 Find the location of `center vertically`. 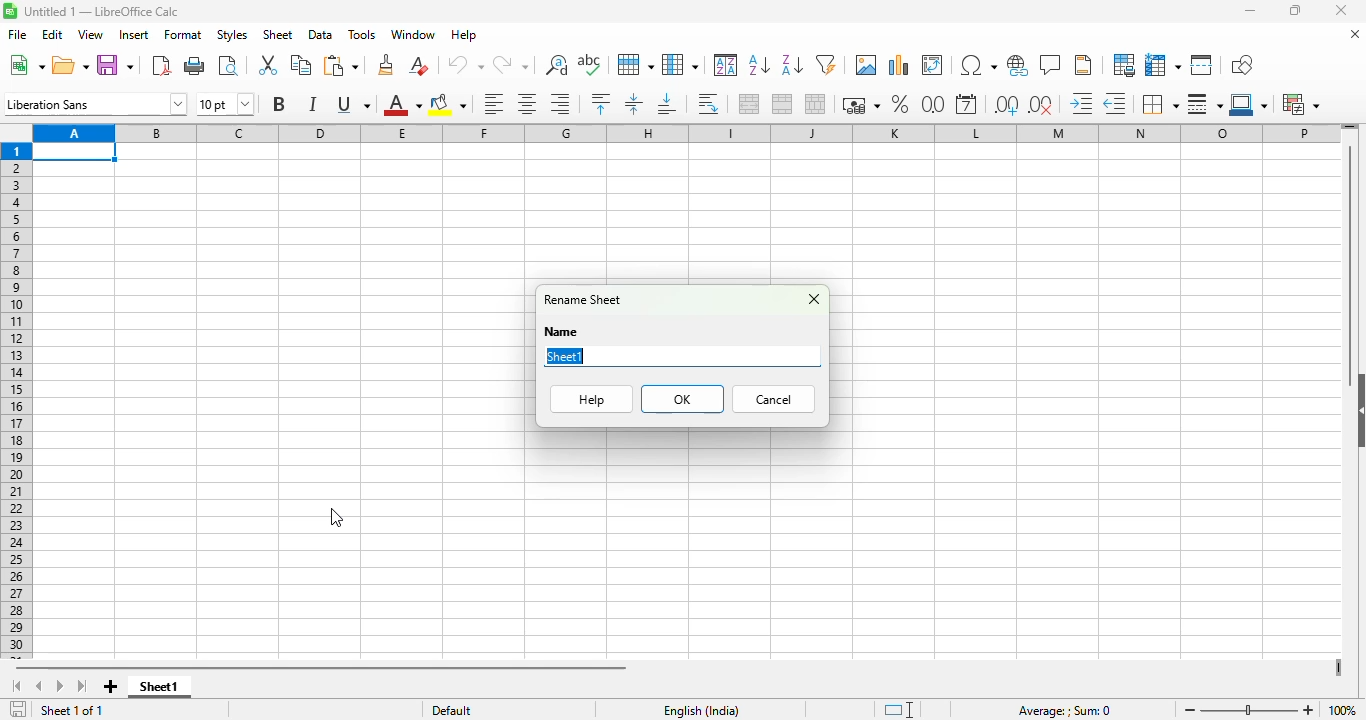

center vertically is located at coordinates (633, 104).